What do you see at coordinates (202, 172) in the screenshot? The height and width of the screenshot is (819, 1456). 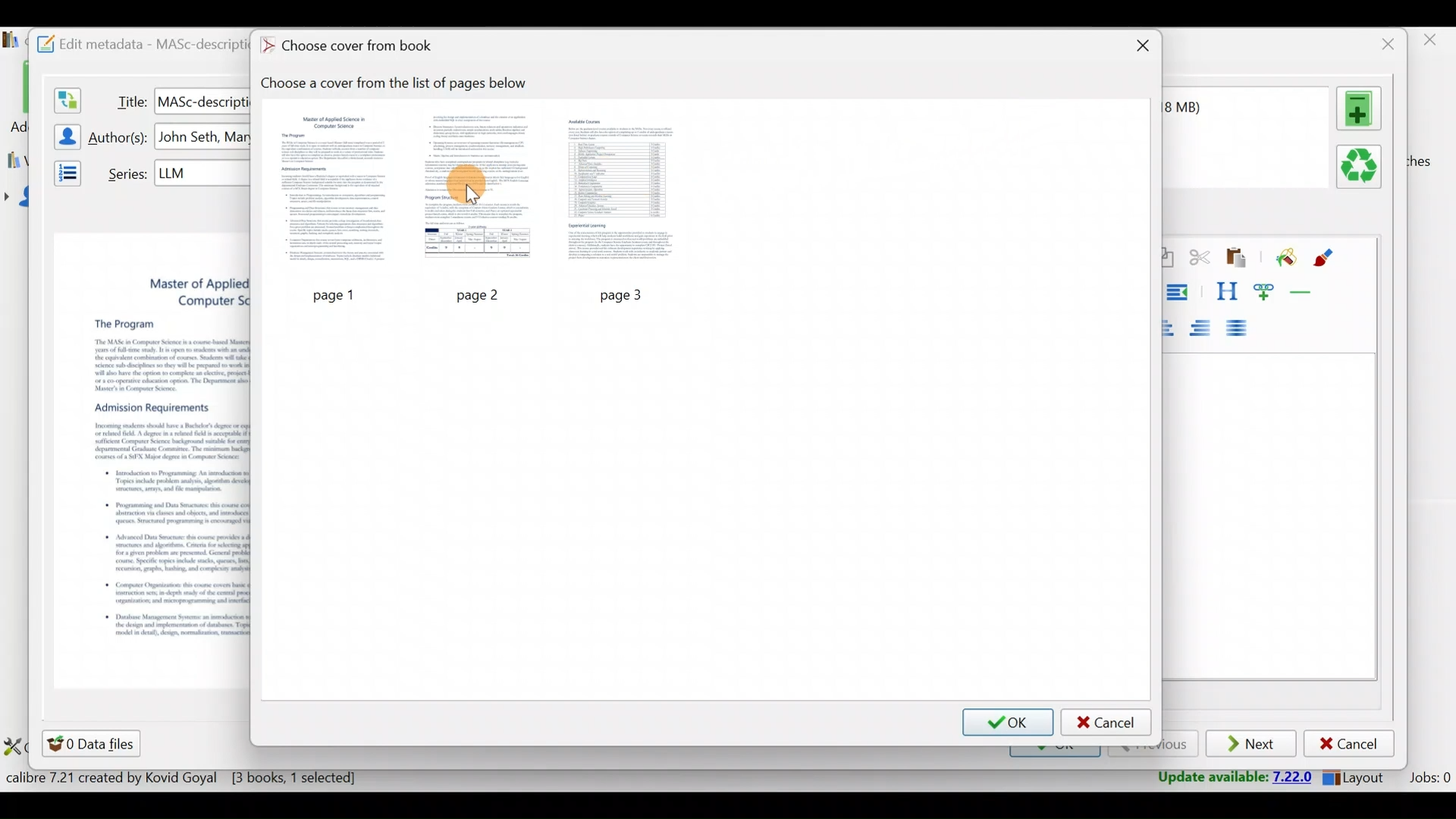 I see `` at bounding box center [202, 172].